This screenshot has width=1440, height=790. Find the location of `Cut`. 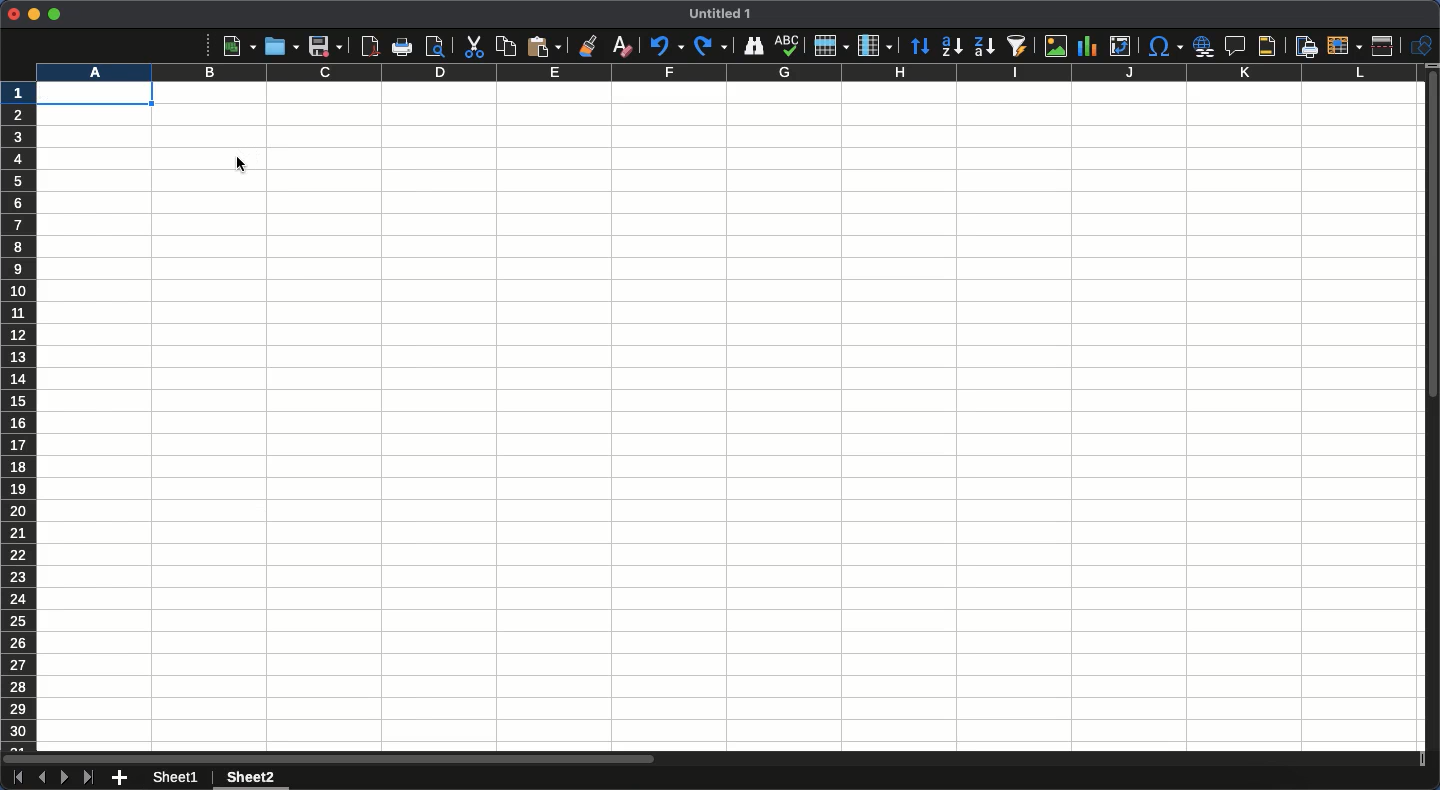

Cut is located at coordinates (472, 47).